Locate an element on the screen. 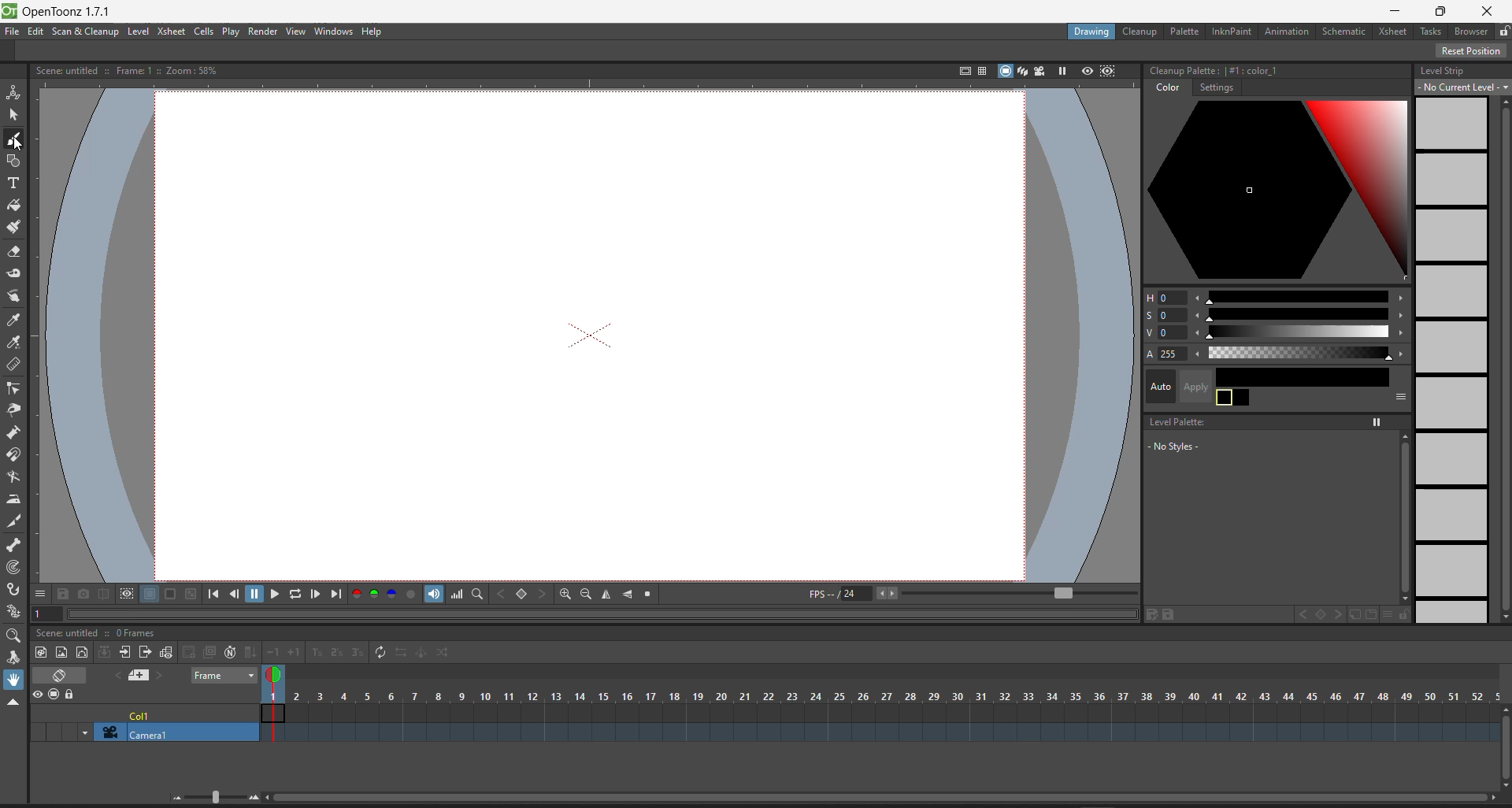 Image resolution: width=1512 pixels, height=808 pixels. reframe on 2 is located at coordinates (335, 653).